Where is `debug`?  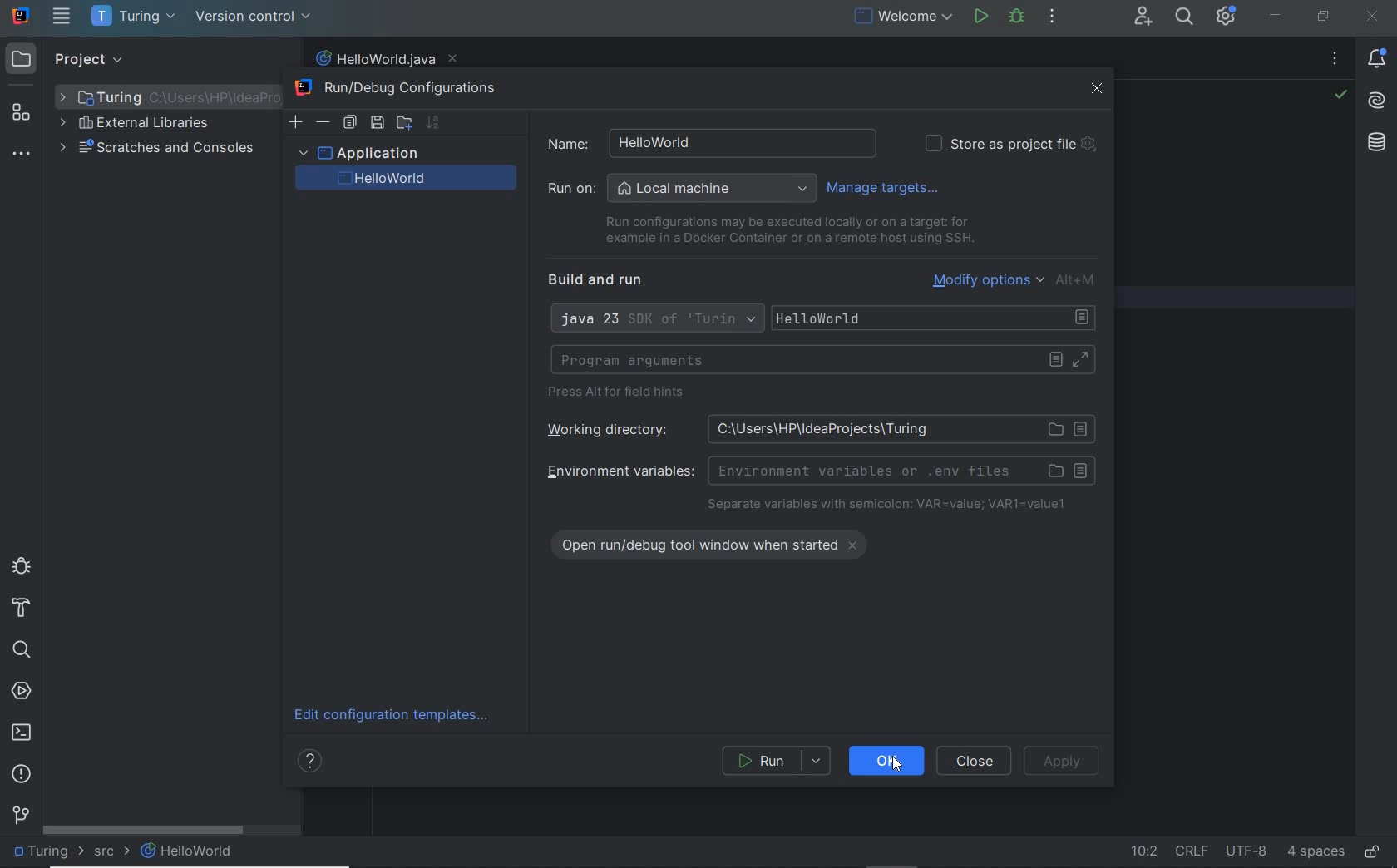 debug is located at coordinates (1017, 17).